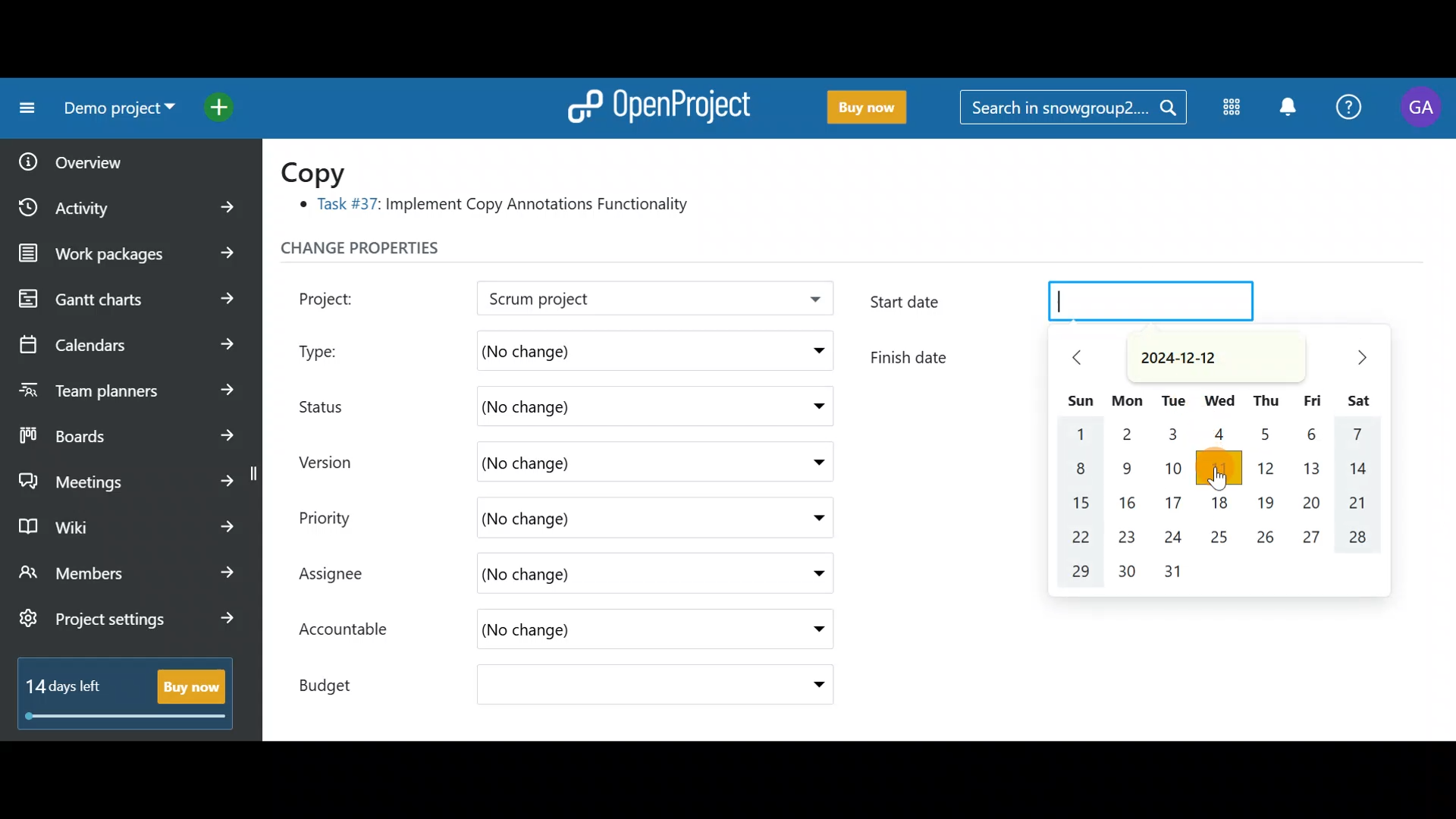 This screenshot has height=819, width=1456. Describe the element at coordinates (500, 207) in the screenshot. I see `® Task #37: Implement Copy Annotations Functionality` at that location.